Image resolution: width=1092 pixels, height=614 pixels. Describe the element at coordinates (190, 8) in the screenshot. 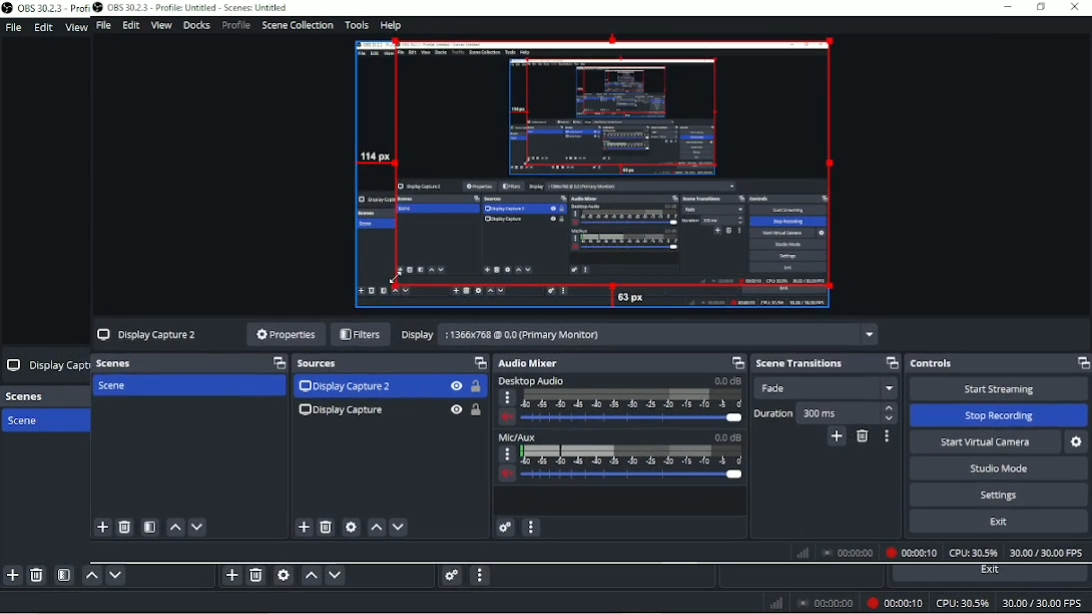

I see `OBS 30.2.3 - Profile Untitled - Scenes: Untitled` at that location.